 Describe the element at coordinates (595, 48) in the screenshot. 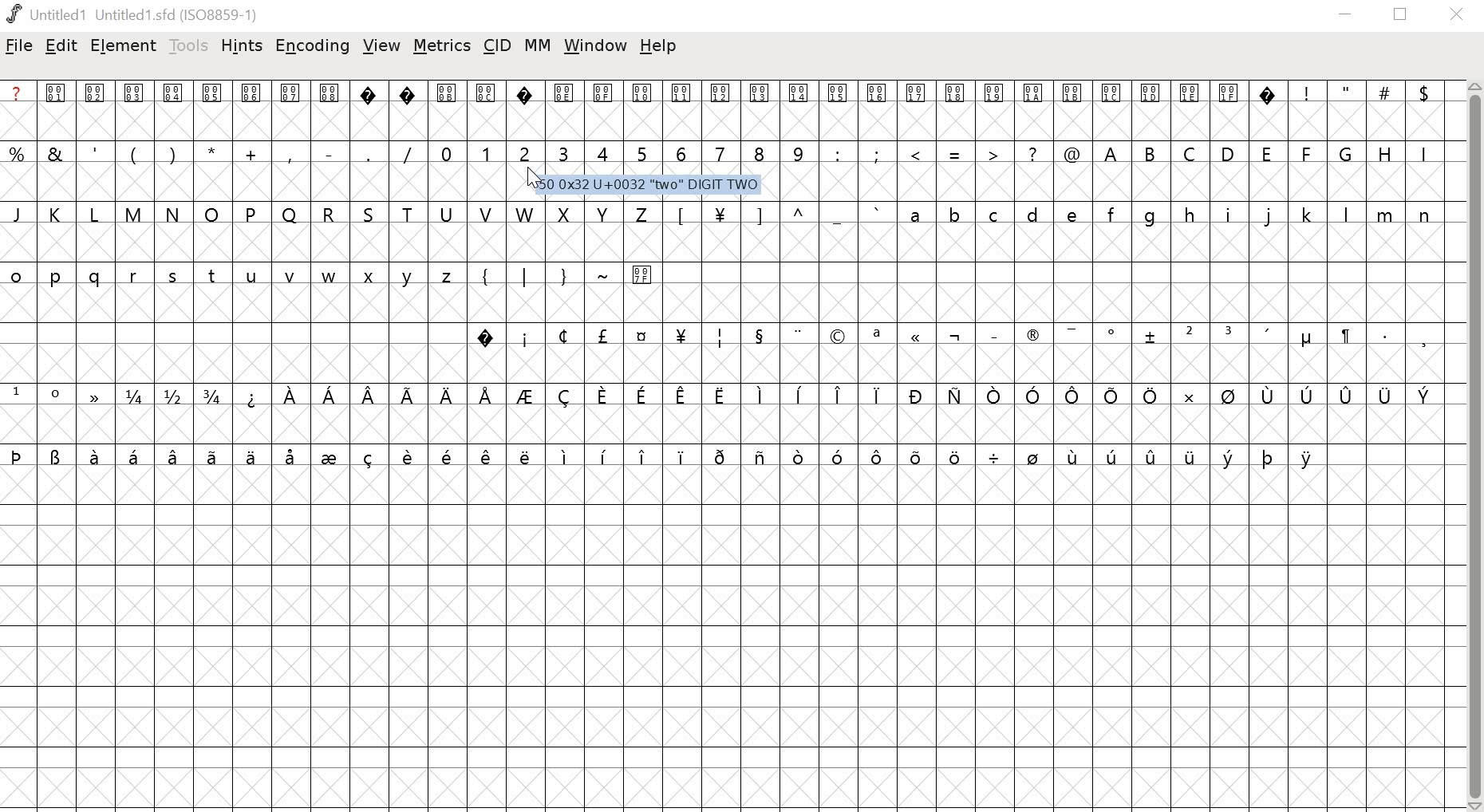

I see `window` at that location.